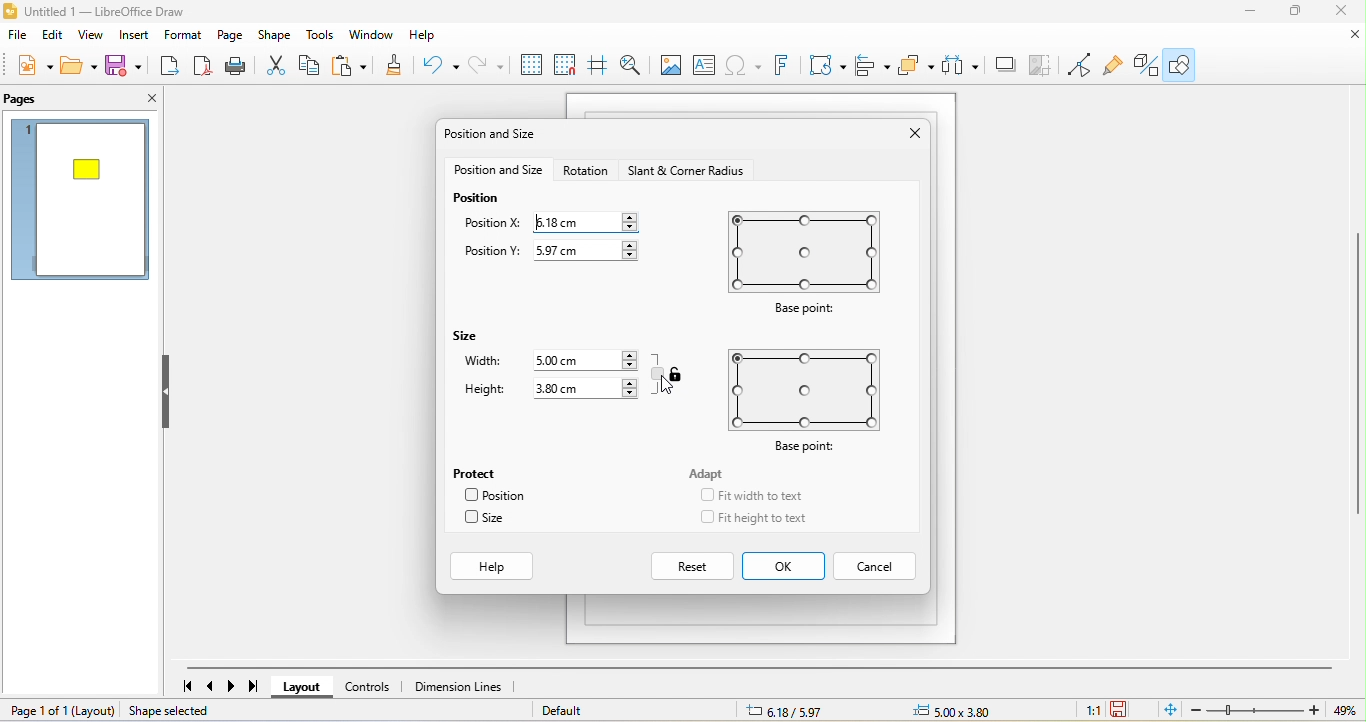 Image resolution: width=1366 pixels, height=722 pixels. What do you see at coordinates (492, 567) in the screenshot?
I see `help` at bounding box center [492, 567].